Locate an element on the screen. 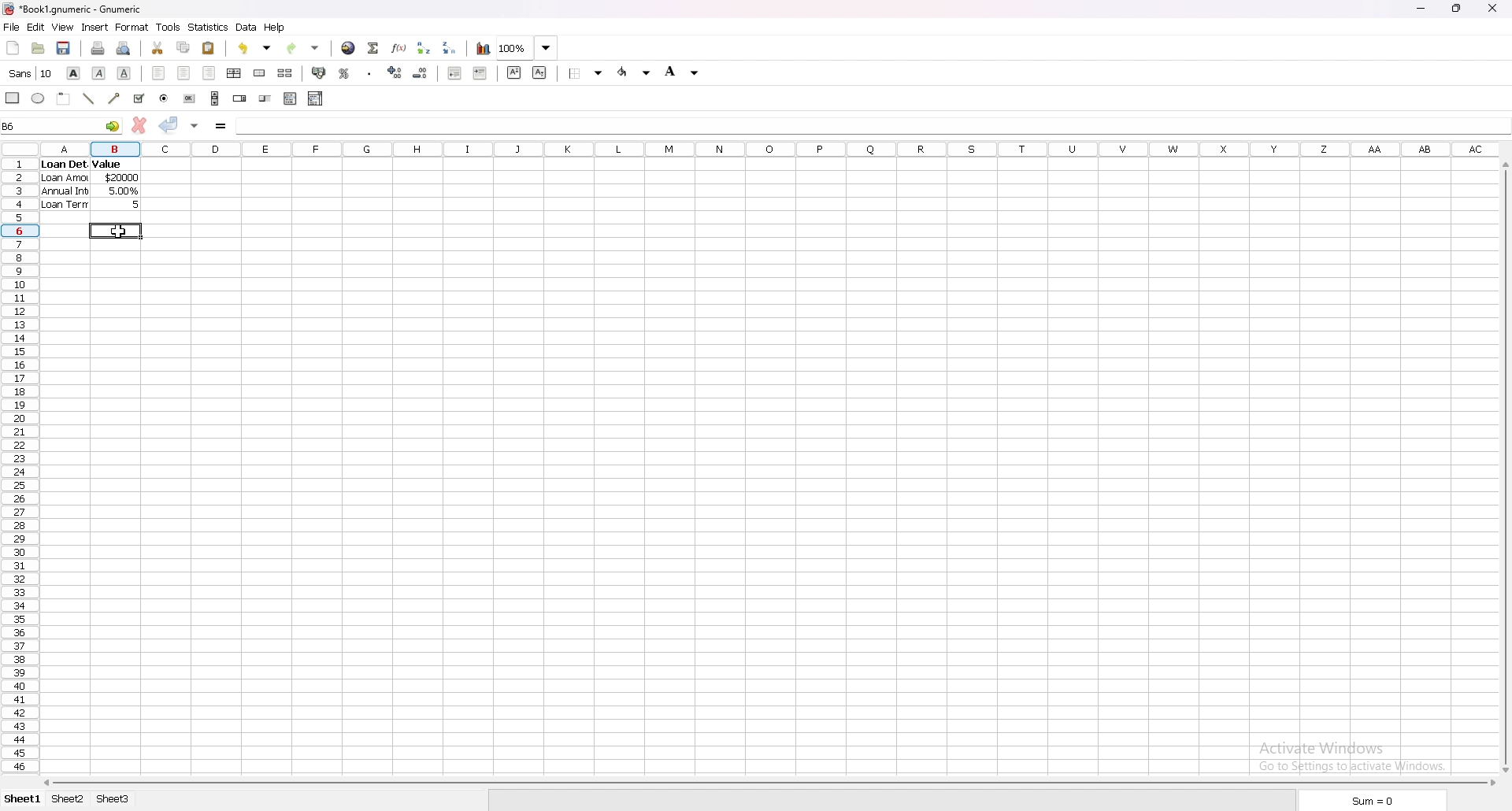  right align is located at coordinates (209, 72).